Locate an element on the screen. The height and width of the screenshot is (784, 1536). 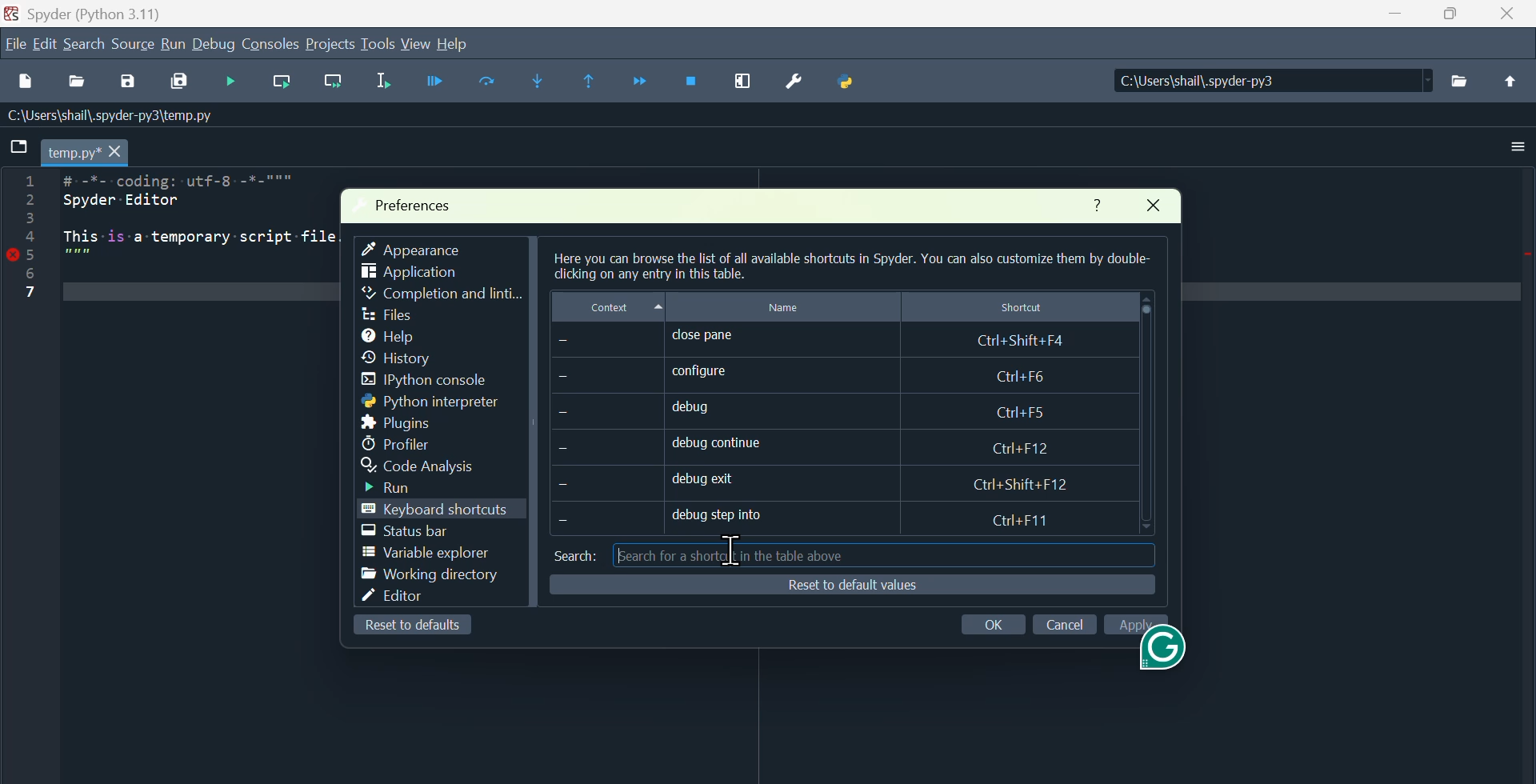
Apply is located at coordinates (1136, 621).